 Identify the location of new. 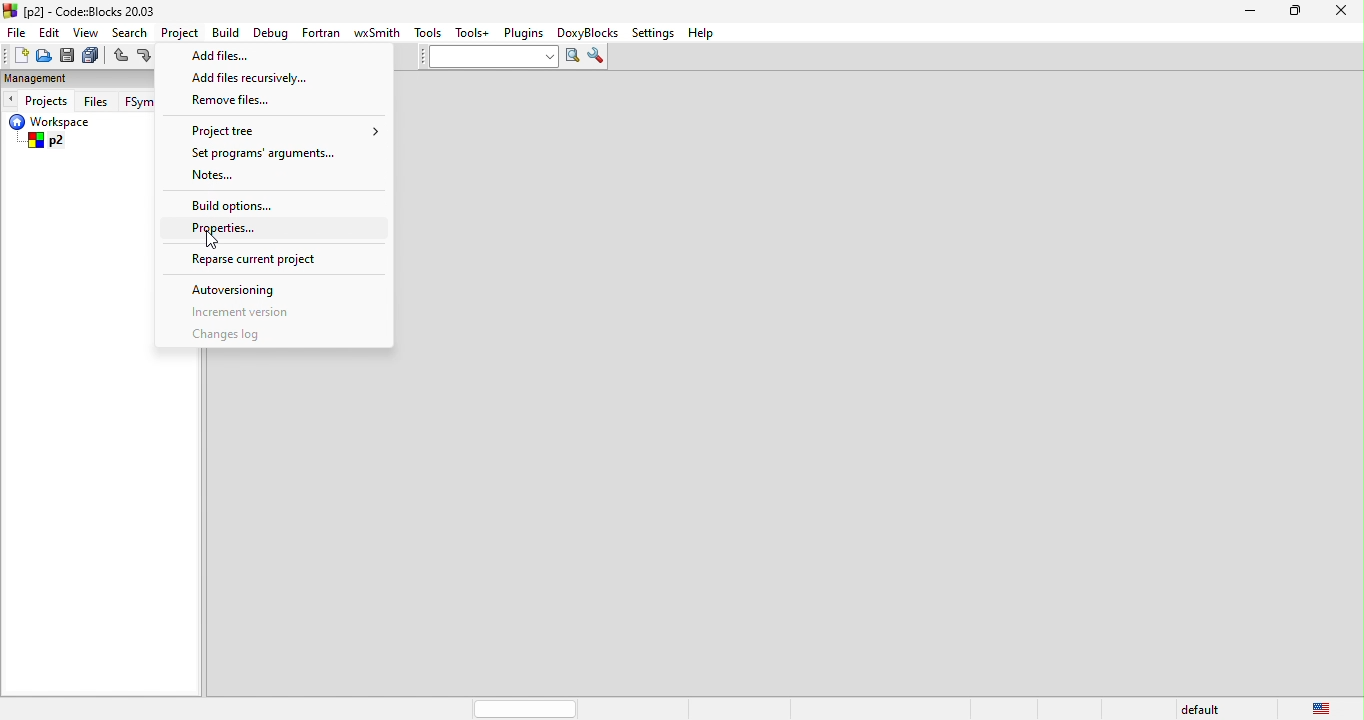
(15, 55).